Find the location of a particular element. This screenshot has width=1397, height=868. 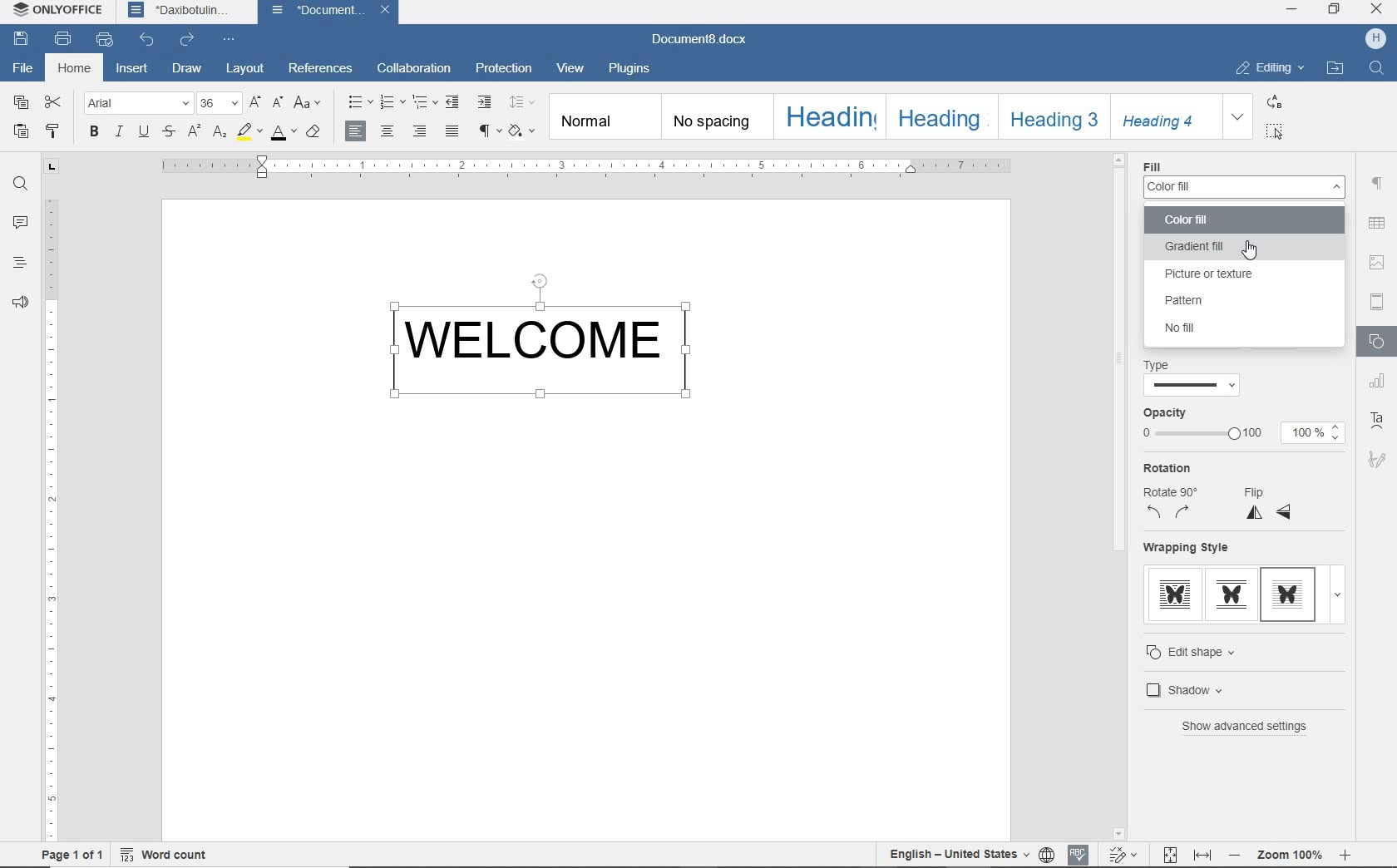

TRACK CHANGES is located at coordinates (1126, 854).